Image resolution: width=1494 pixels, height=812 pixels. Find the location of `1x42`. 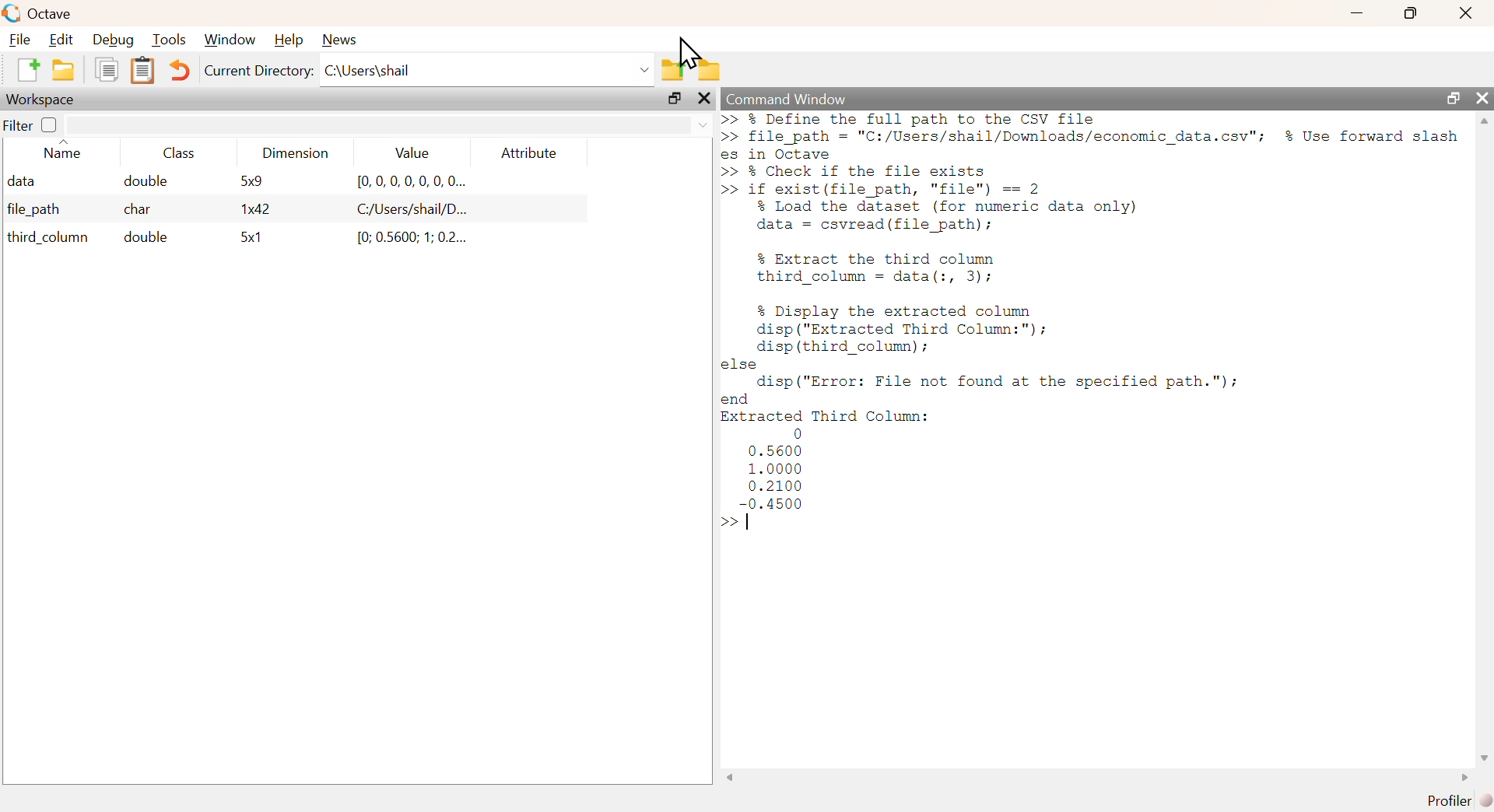

1x42 is located at coordinates (250, 208).